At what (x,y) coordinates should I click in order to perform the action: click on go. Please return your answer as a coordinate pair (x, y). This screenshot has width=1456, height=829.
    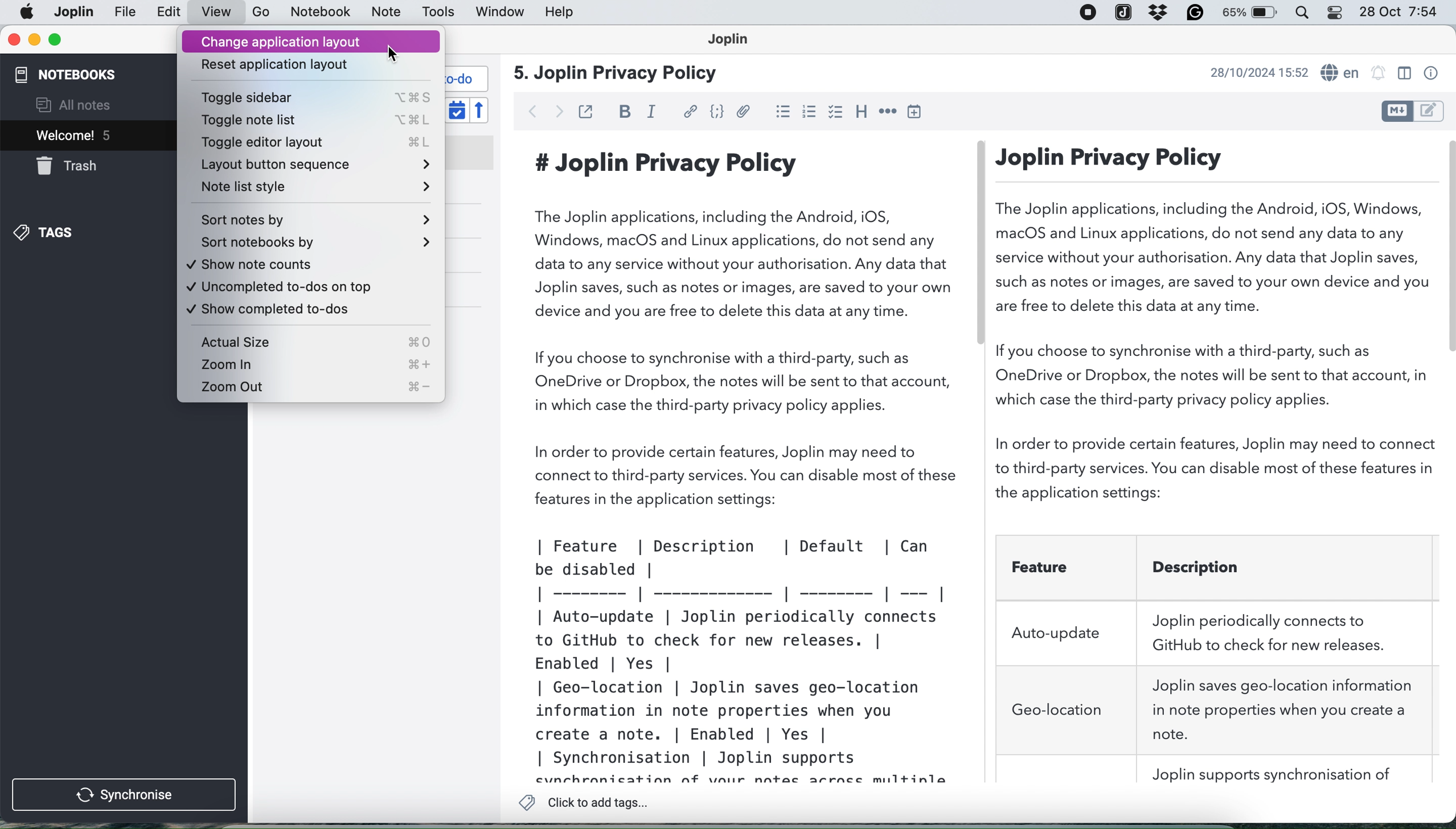
    Looking at the image, I should click on (262, 13).